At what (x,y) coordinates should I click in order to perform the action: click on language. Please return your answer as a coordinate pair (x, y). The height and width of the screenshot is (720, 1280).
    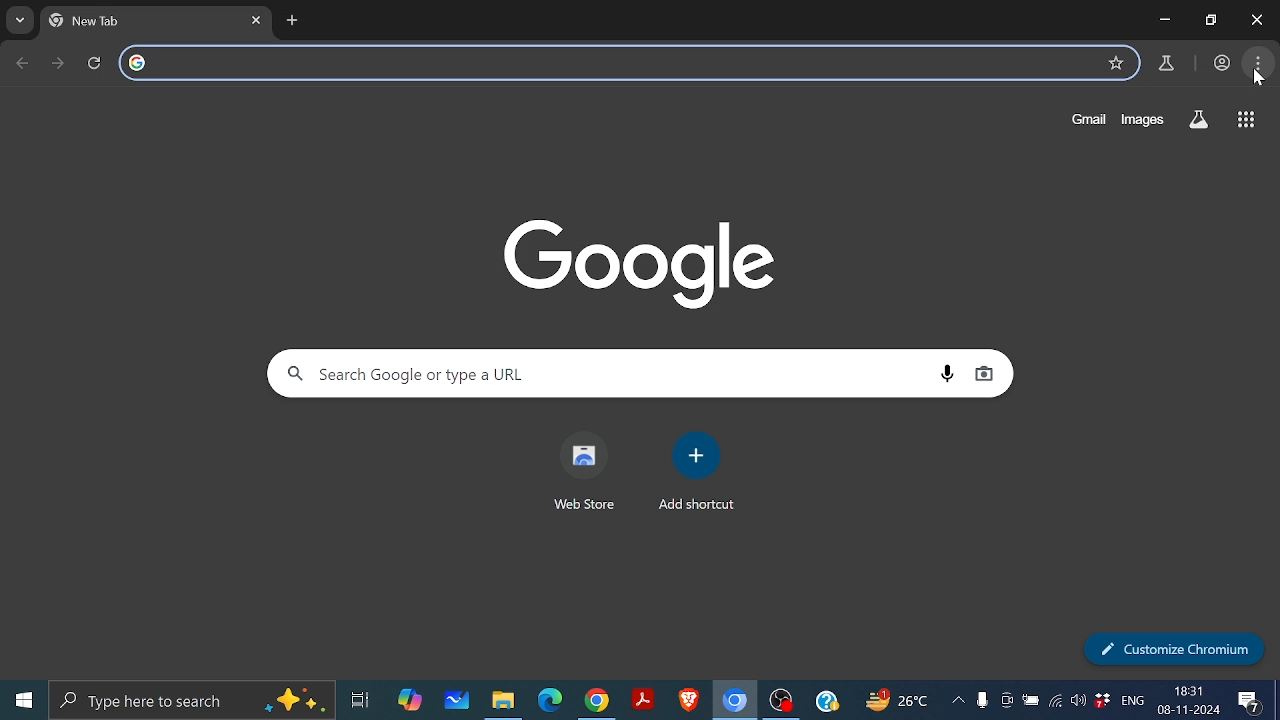
    Looking at the image, I should click on (1133, 703).